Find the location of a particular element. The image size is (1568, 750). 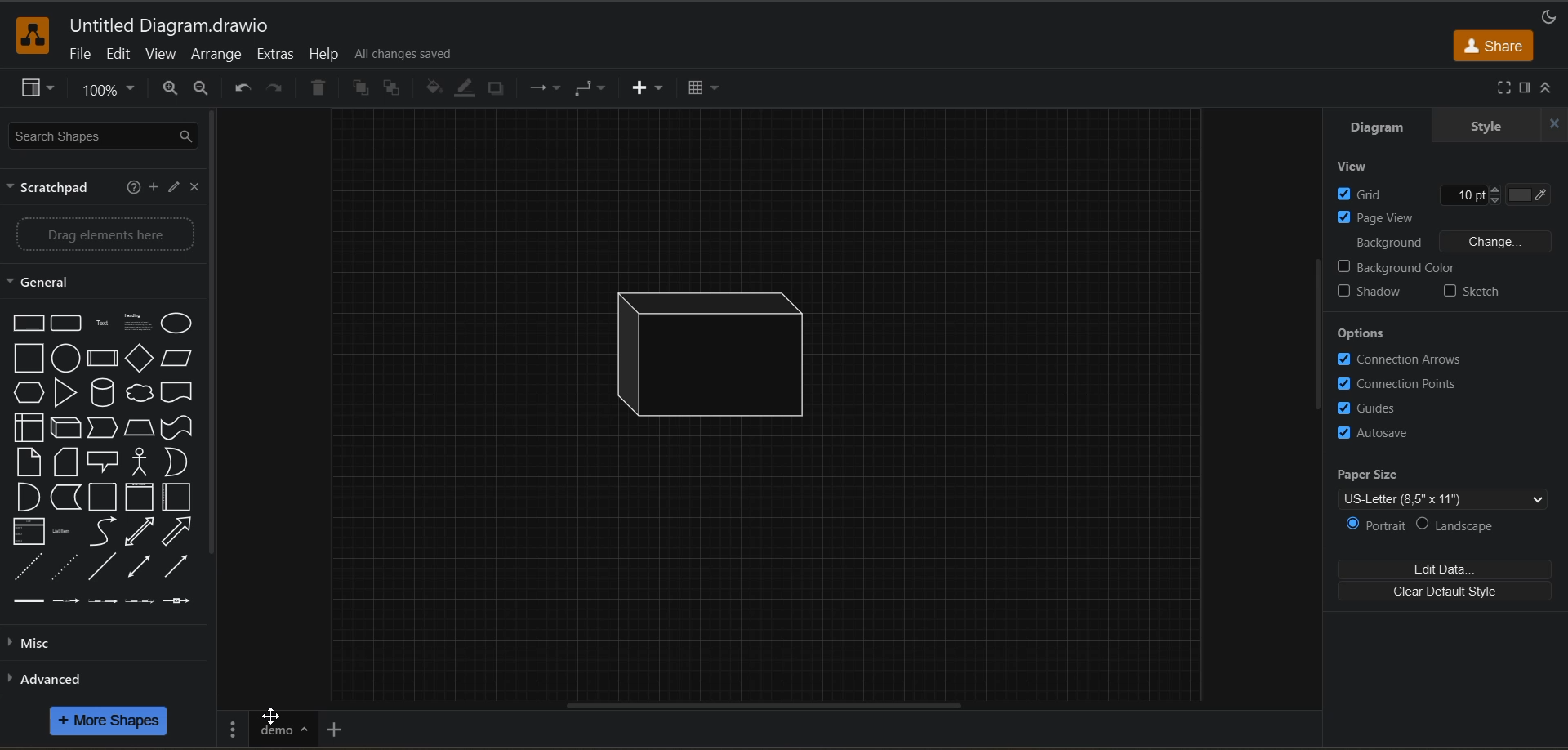

view is located at coordinates (37, 88).